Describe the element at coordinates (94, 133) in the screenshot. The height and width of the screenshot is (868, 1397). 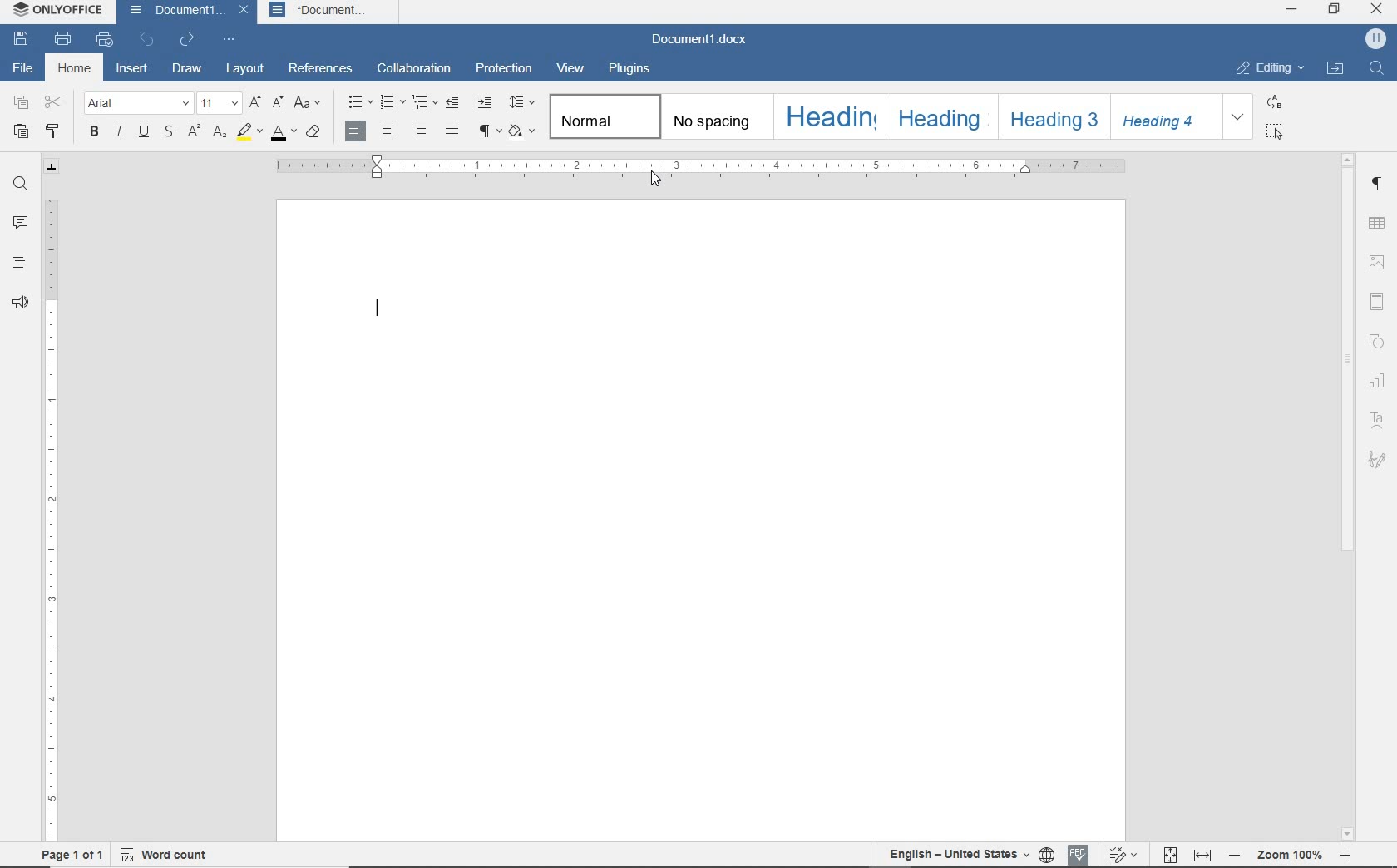
I see `BOLD` at that location.